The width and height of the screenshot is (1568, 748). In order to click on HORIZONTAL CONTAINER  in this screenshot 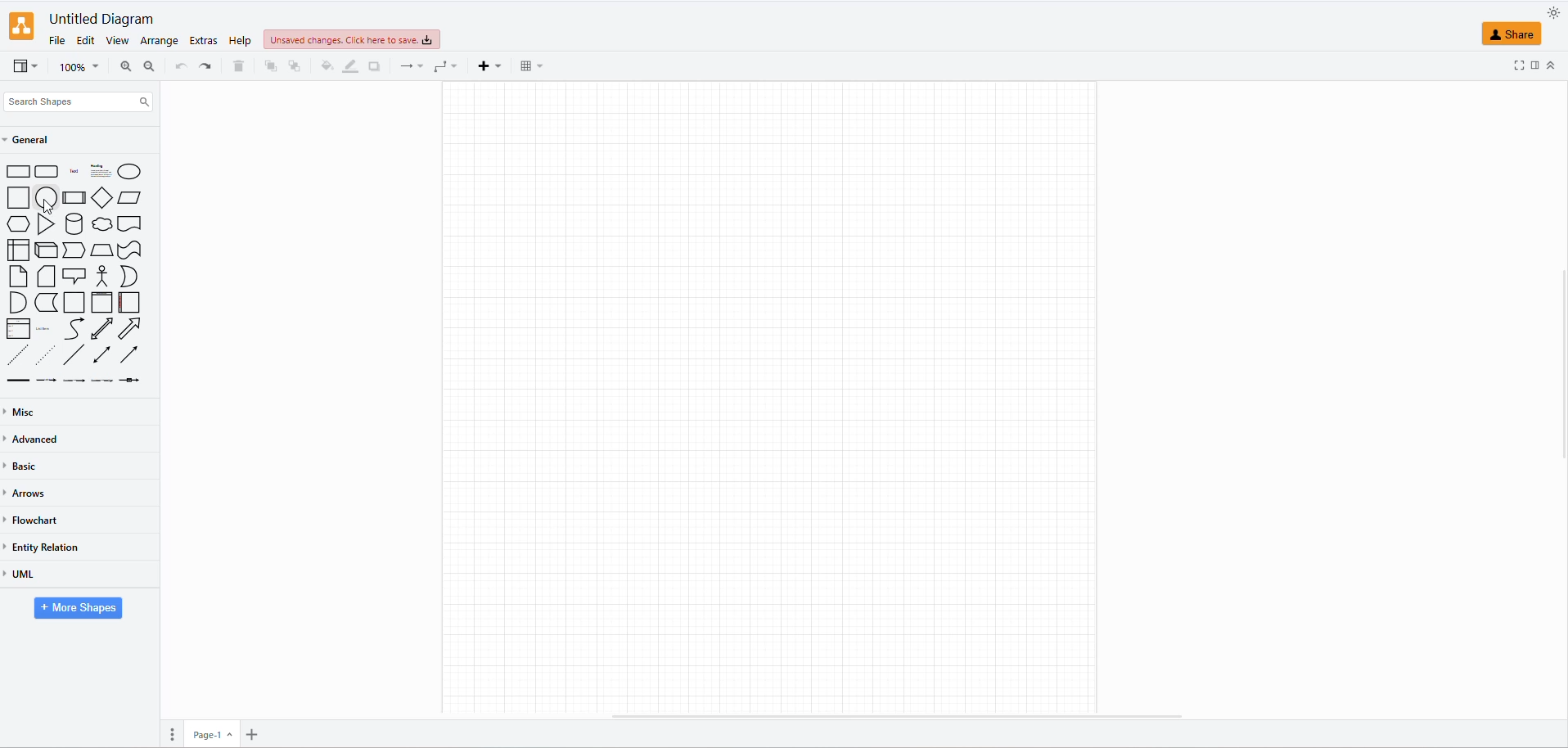, I will do `click(125, 303)`.